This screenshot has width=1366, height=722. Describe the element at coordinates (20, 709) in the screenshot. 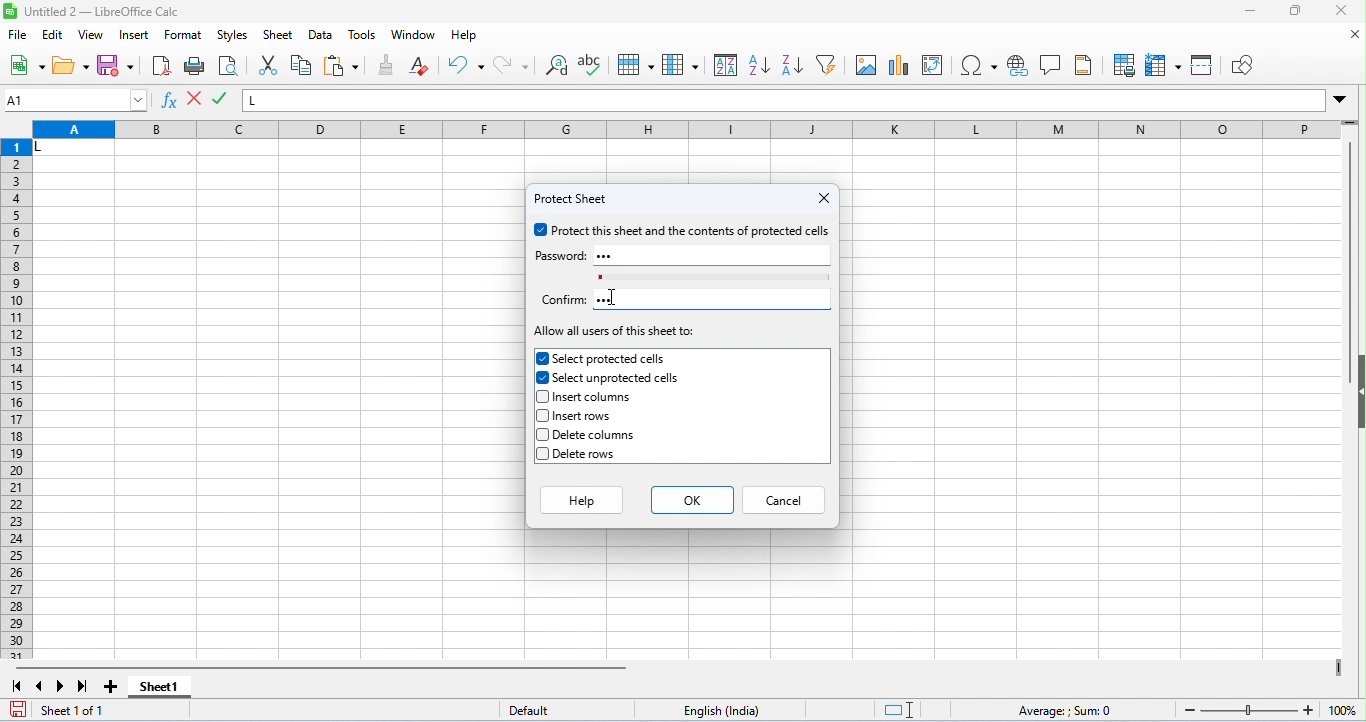

I see `save` at that location.